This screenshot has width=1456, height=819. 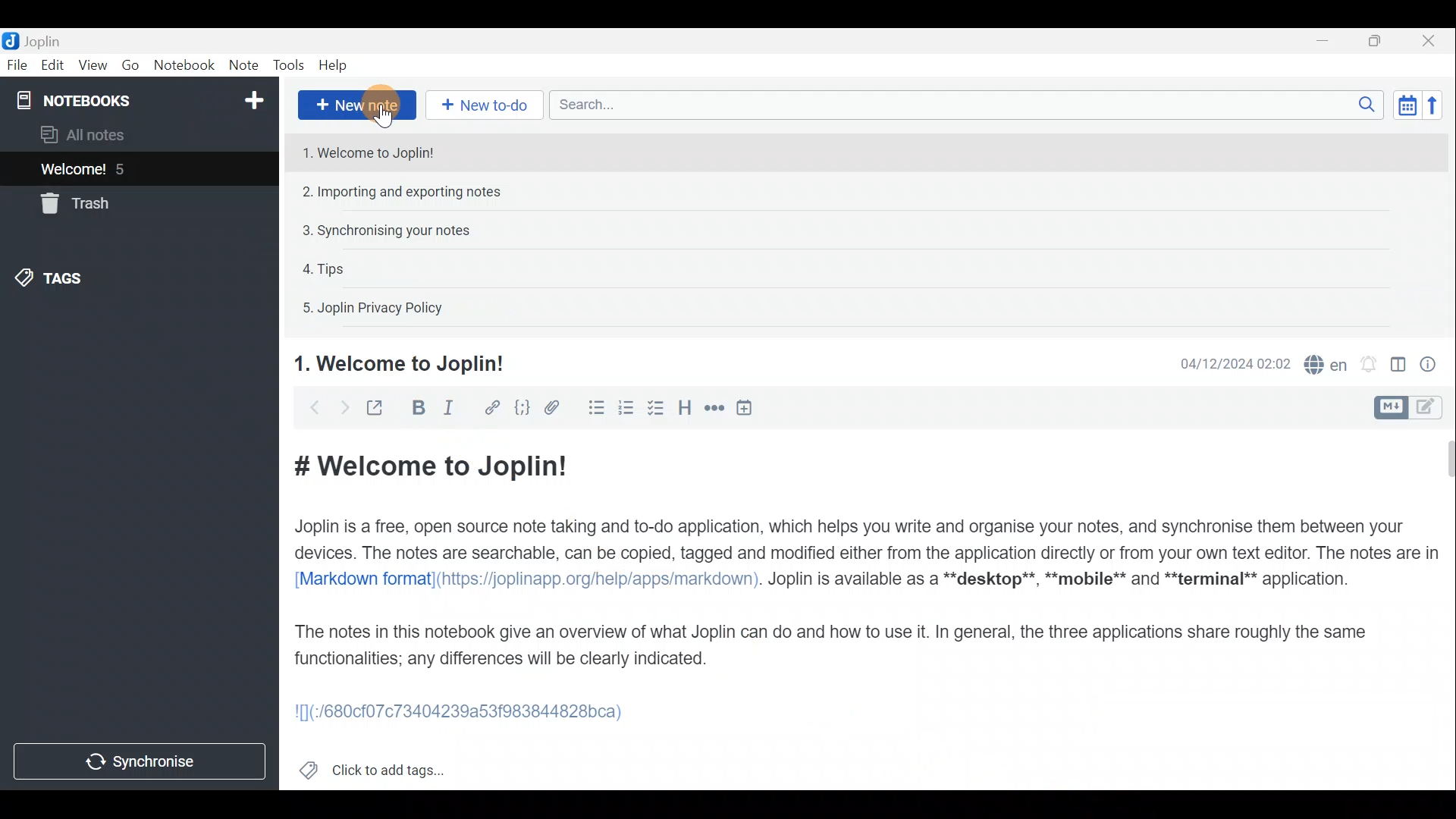 What do you see at coordinates (133, 64) in the screenshot?
I see `Go` at bounding box center [133, 64].